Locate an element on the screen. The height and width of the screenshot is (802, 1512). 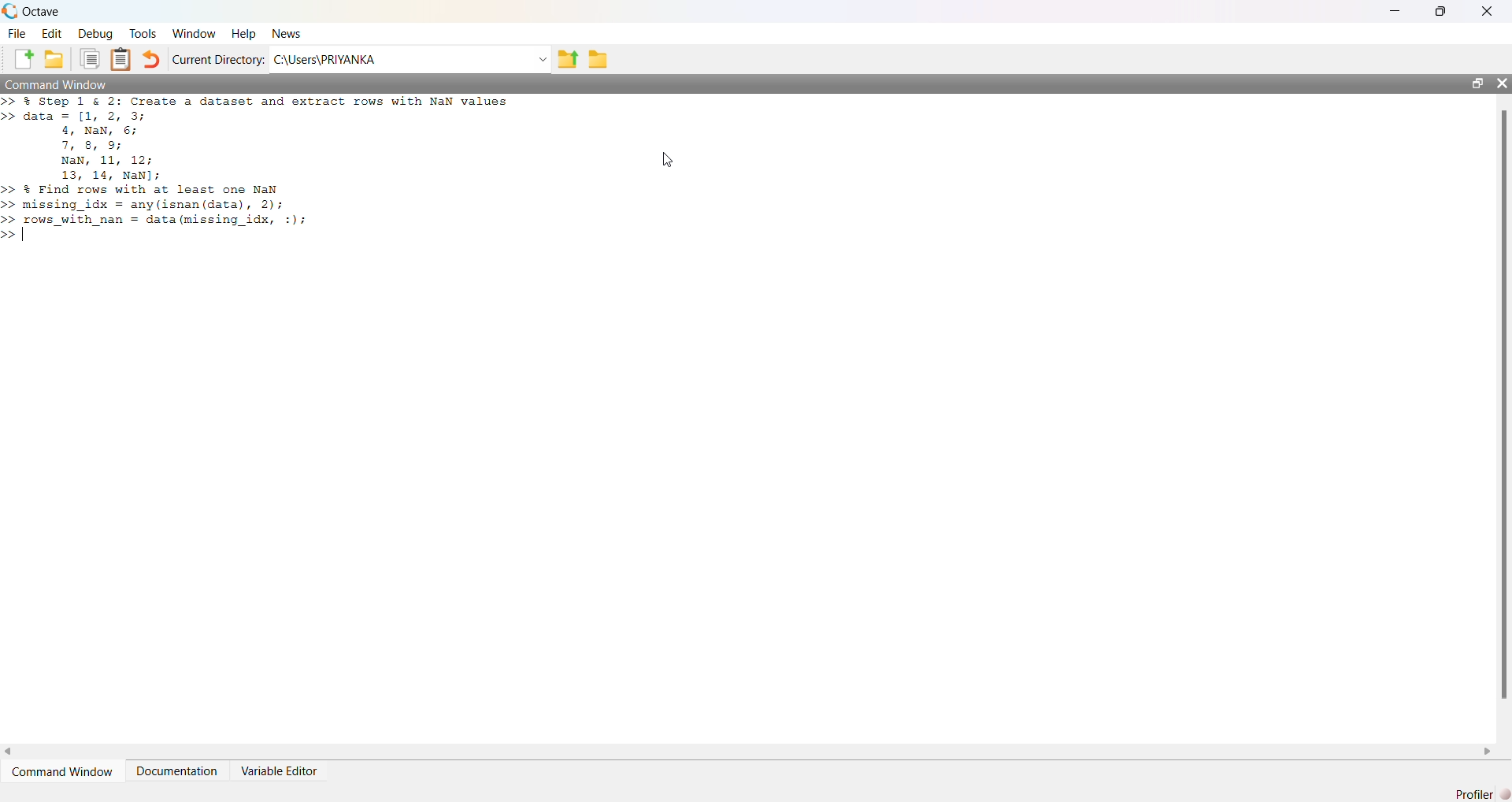
C:\Users\PRIYANKA is located at coordinates (324, 59).